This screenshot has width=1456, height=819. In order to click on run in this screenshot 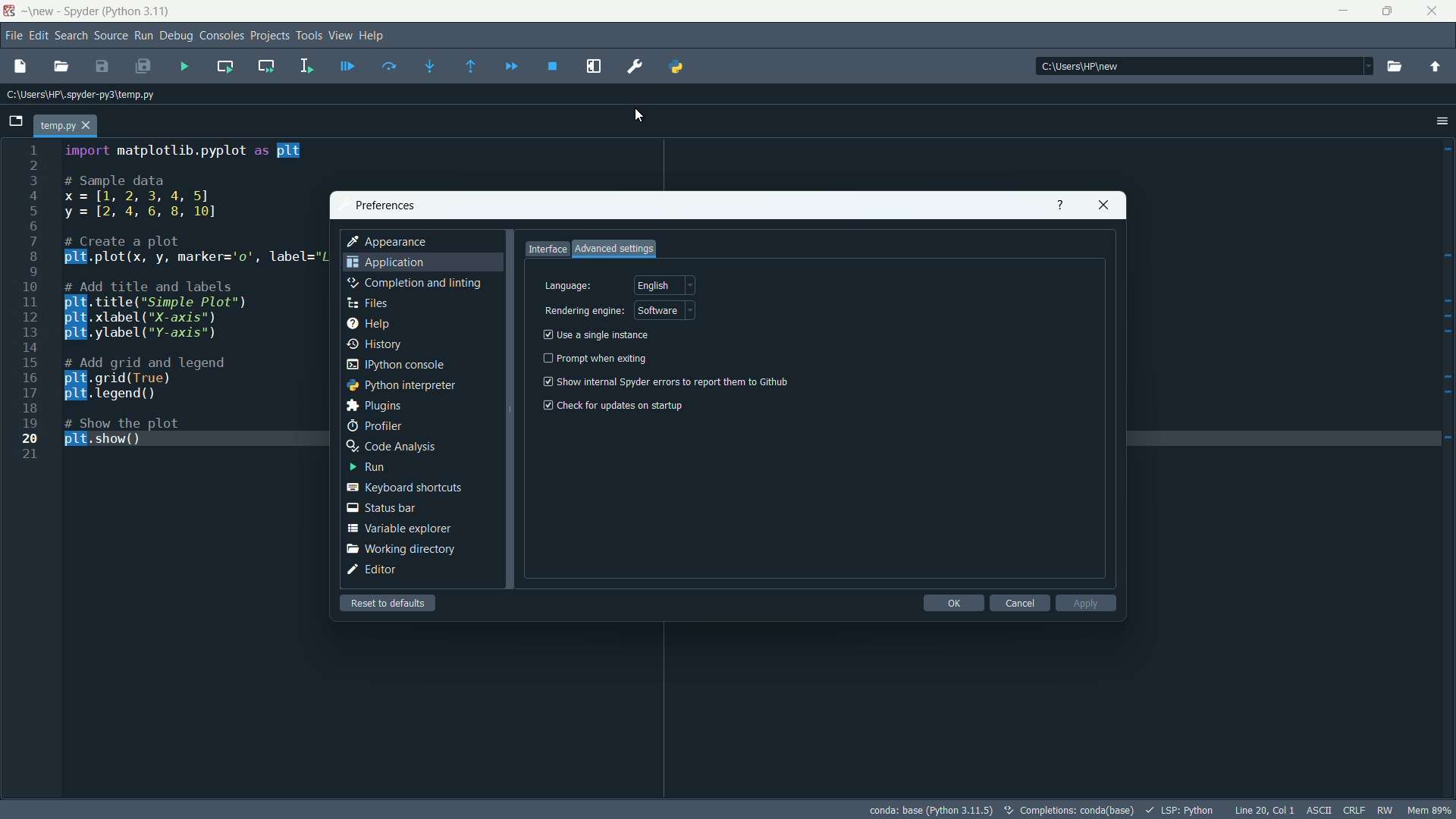, I will do `click(366, 467)`.